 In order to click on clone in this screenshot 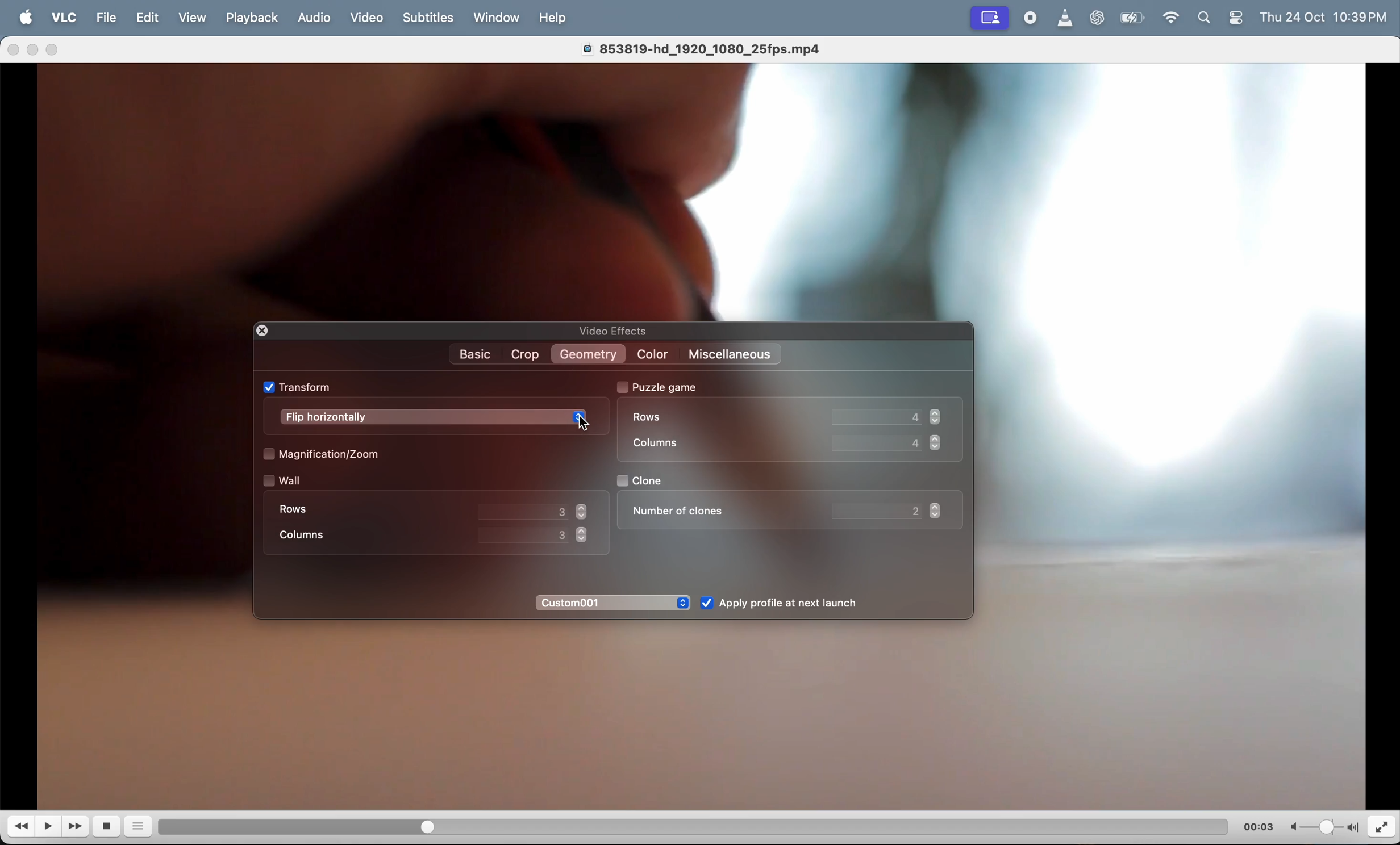, I will do `click(651, 482)`.